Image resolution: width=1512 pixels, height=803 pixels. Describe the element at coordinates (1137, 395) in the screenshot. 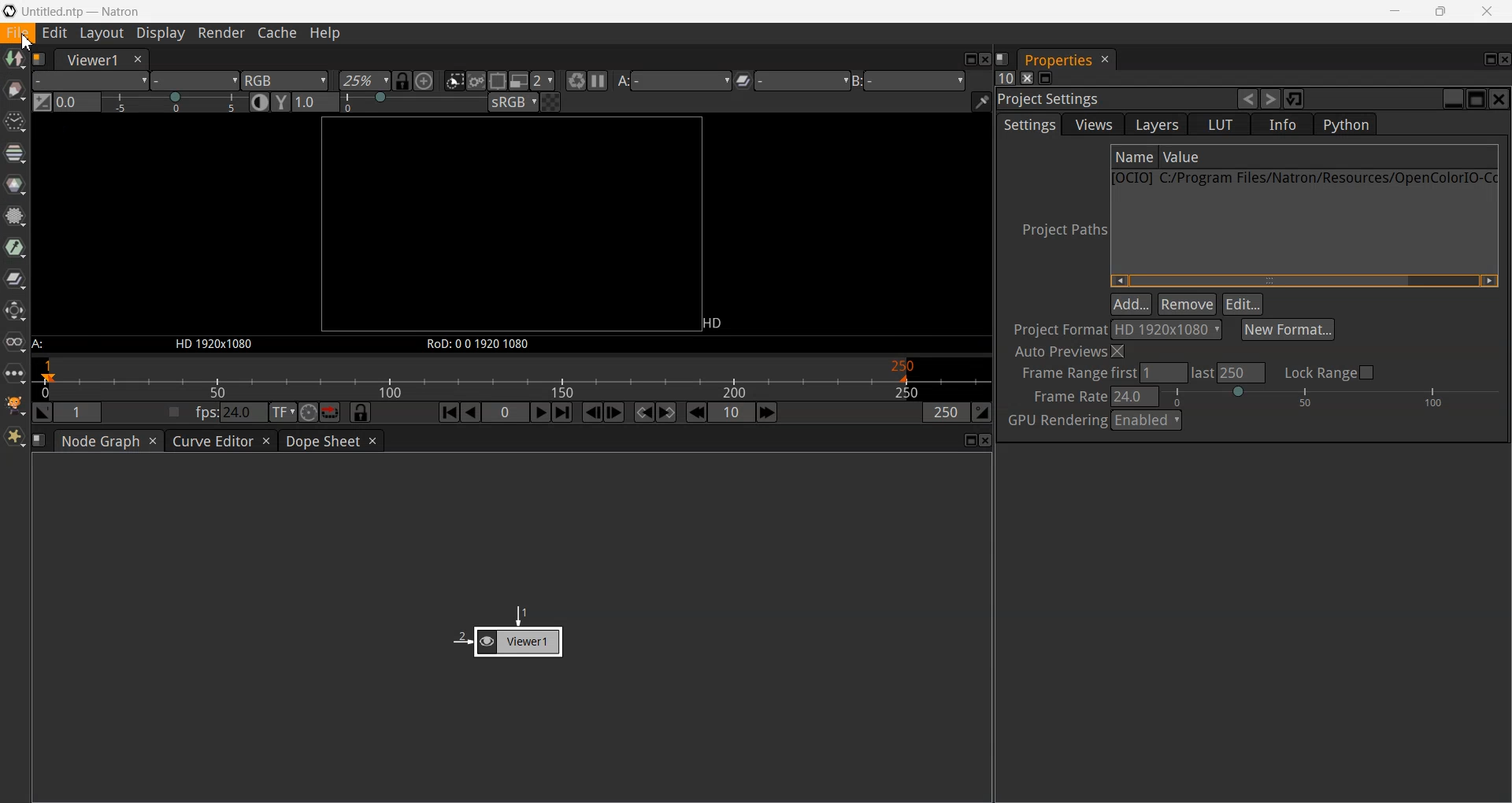

I see `Current frame rate` at that location.